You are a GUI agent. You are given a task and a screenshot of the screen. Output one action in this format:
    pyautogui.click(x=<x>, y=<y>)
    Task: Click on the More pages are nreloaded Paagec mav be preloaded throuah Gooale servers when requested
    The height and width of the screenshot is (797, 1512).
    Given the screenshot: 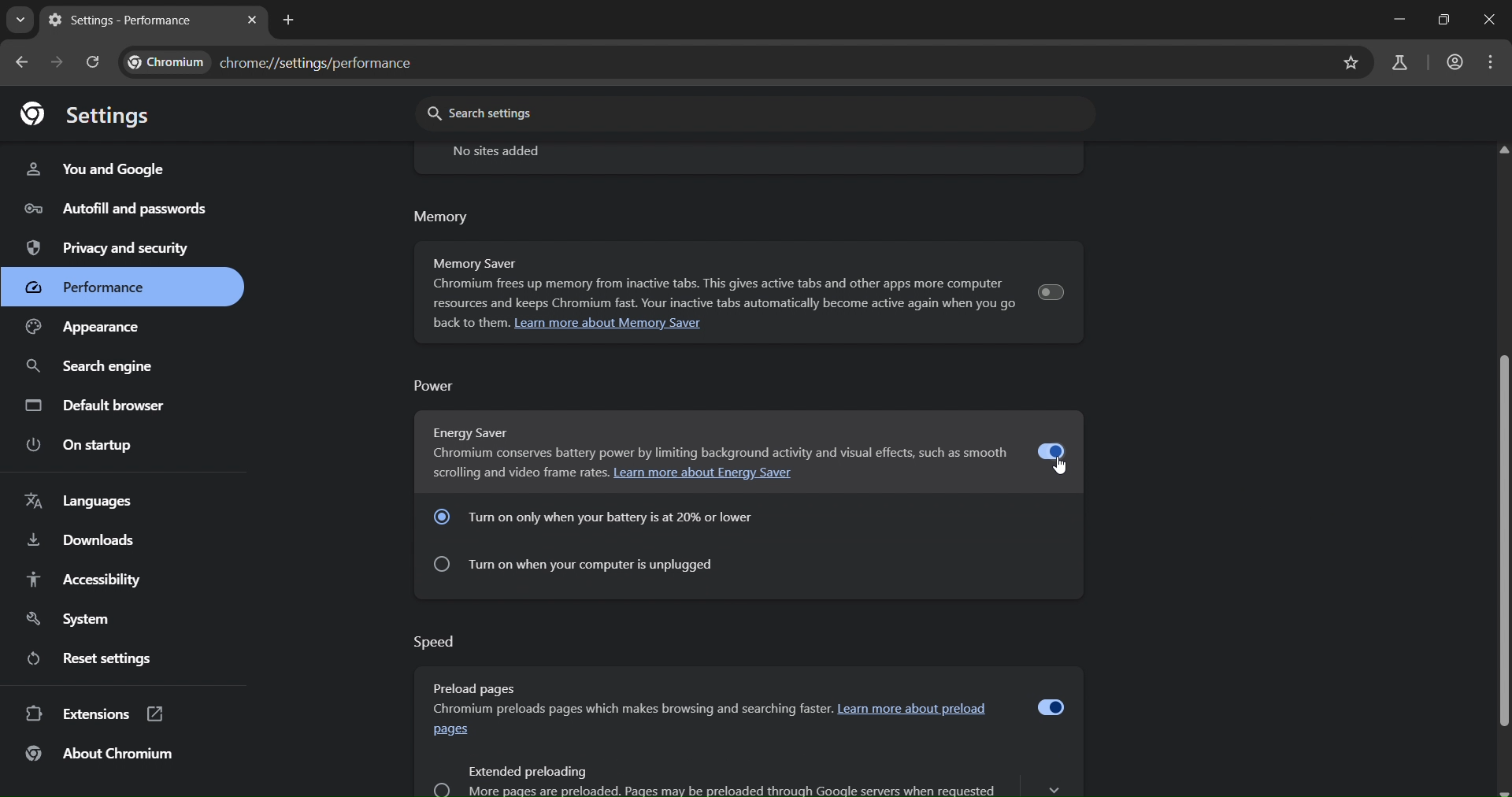 What is the action you would take?
    pyautogui.click(x=720, y=789)
    